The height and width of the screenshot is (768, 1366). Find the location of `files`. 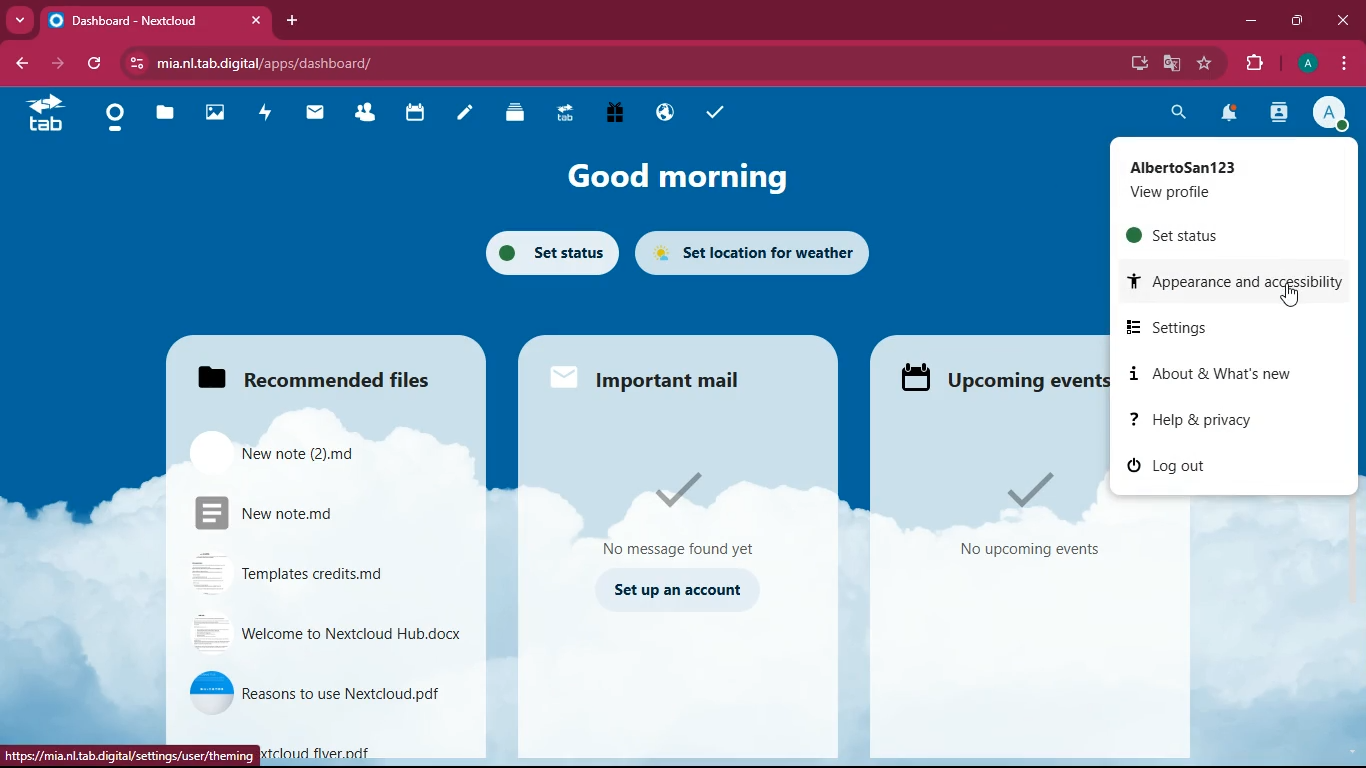

files is located at coordinates (309, 378).